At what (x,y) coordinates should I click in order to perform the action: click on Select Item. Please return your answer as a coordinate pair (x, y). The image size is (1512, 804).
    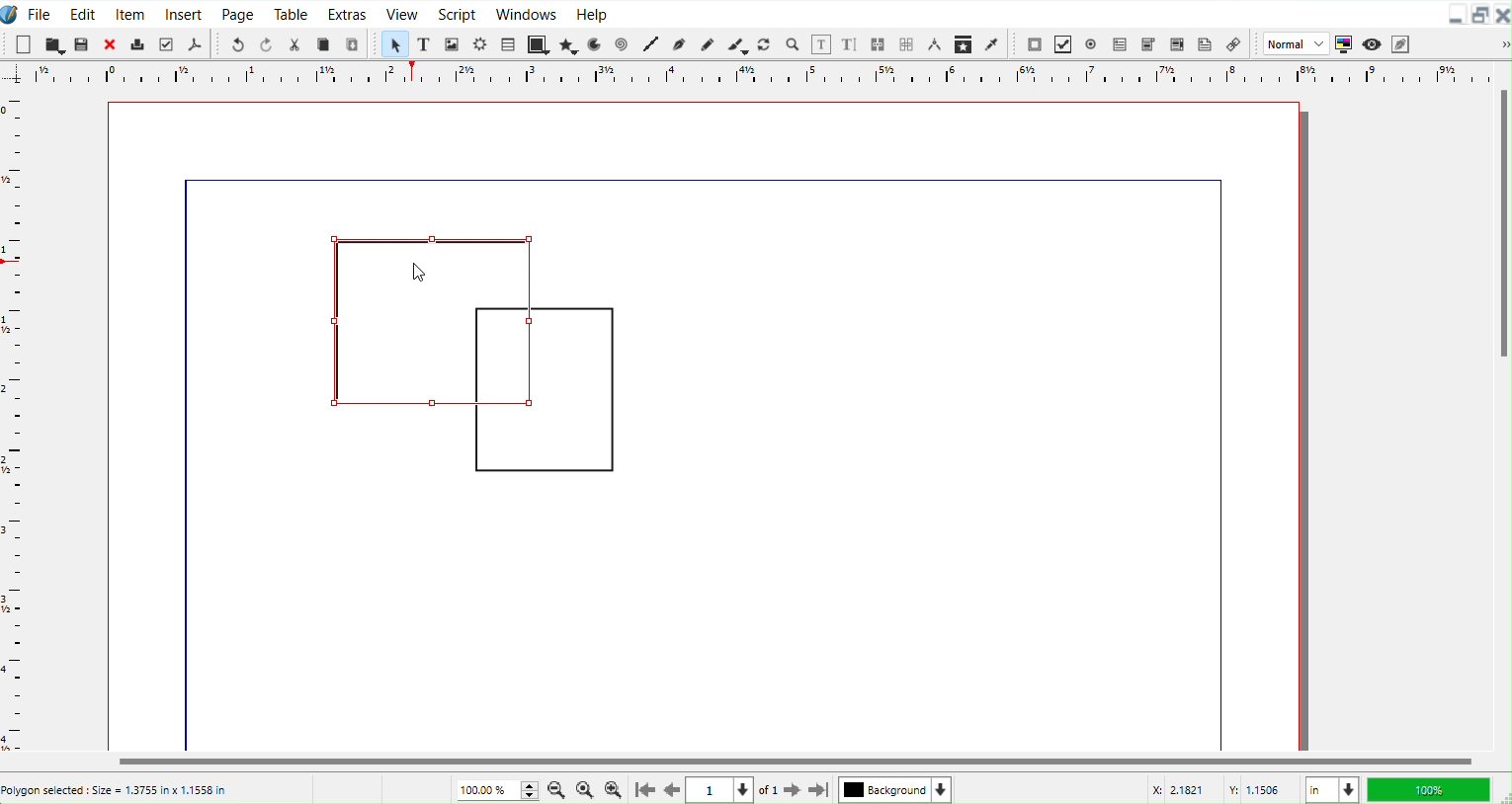
    Looking at the image, I should click on (395, 44).